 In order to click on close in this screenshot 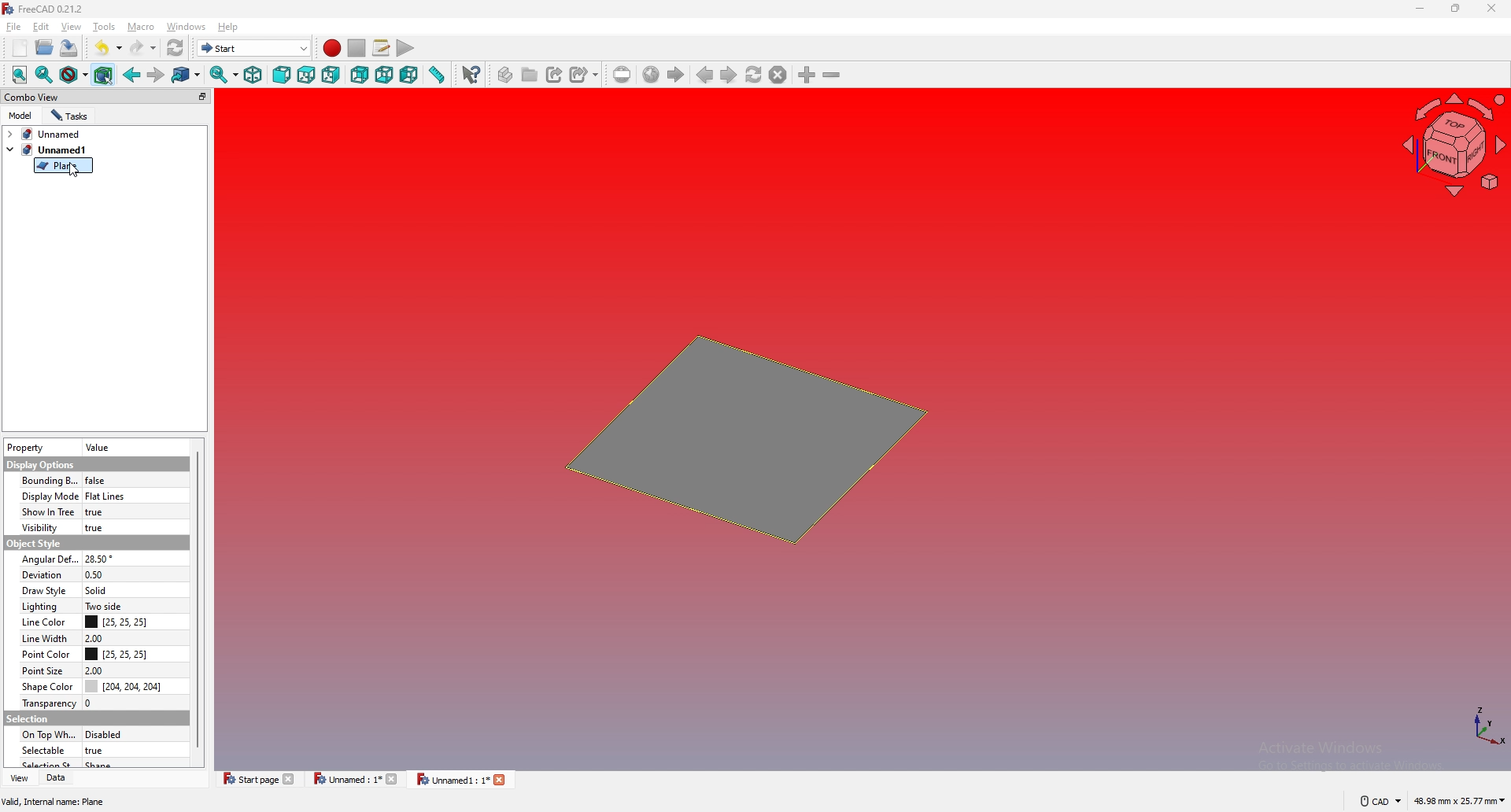, I will do `click(1490, 9)`.